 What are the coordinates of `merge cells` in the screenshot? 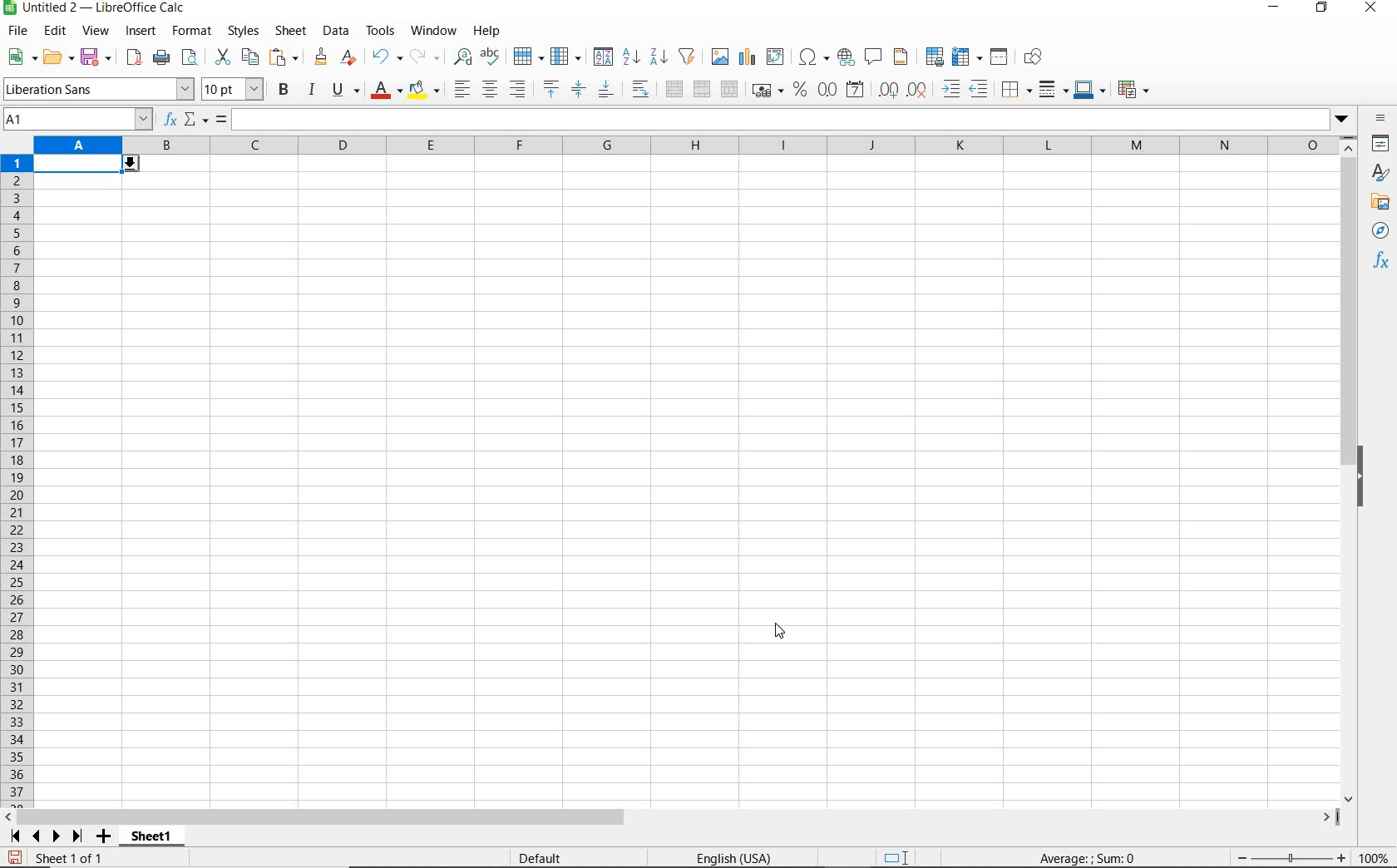 It's located at (703, 87).